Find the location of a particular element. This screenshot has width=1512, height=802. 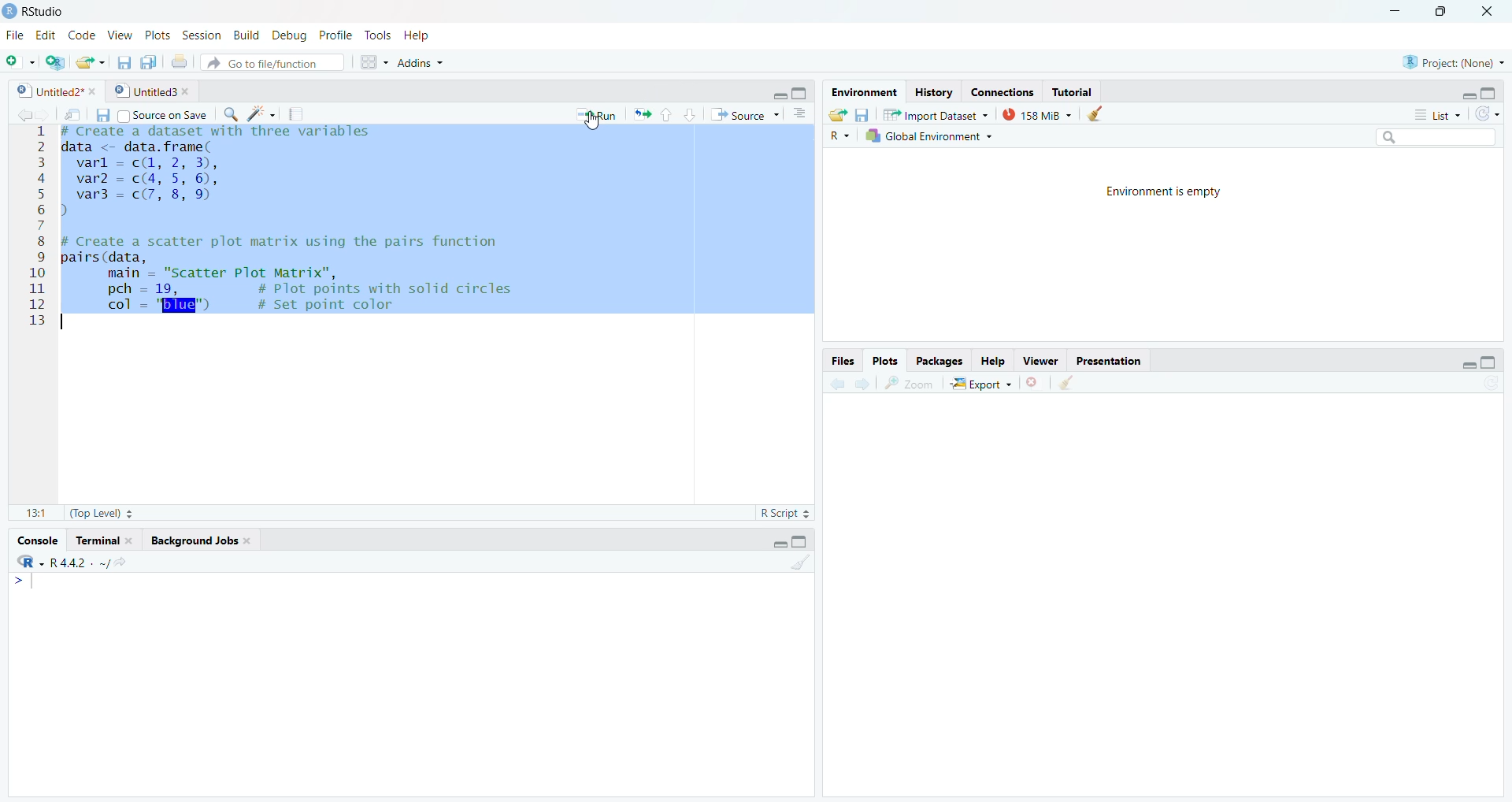

R Script 3 is located at coordinates (788, 512).